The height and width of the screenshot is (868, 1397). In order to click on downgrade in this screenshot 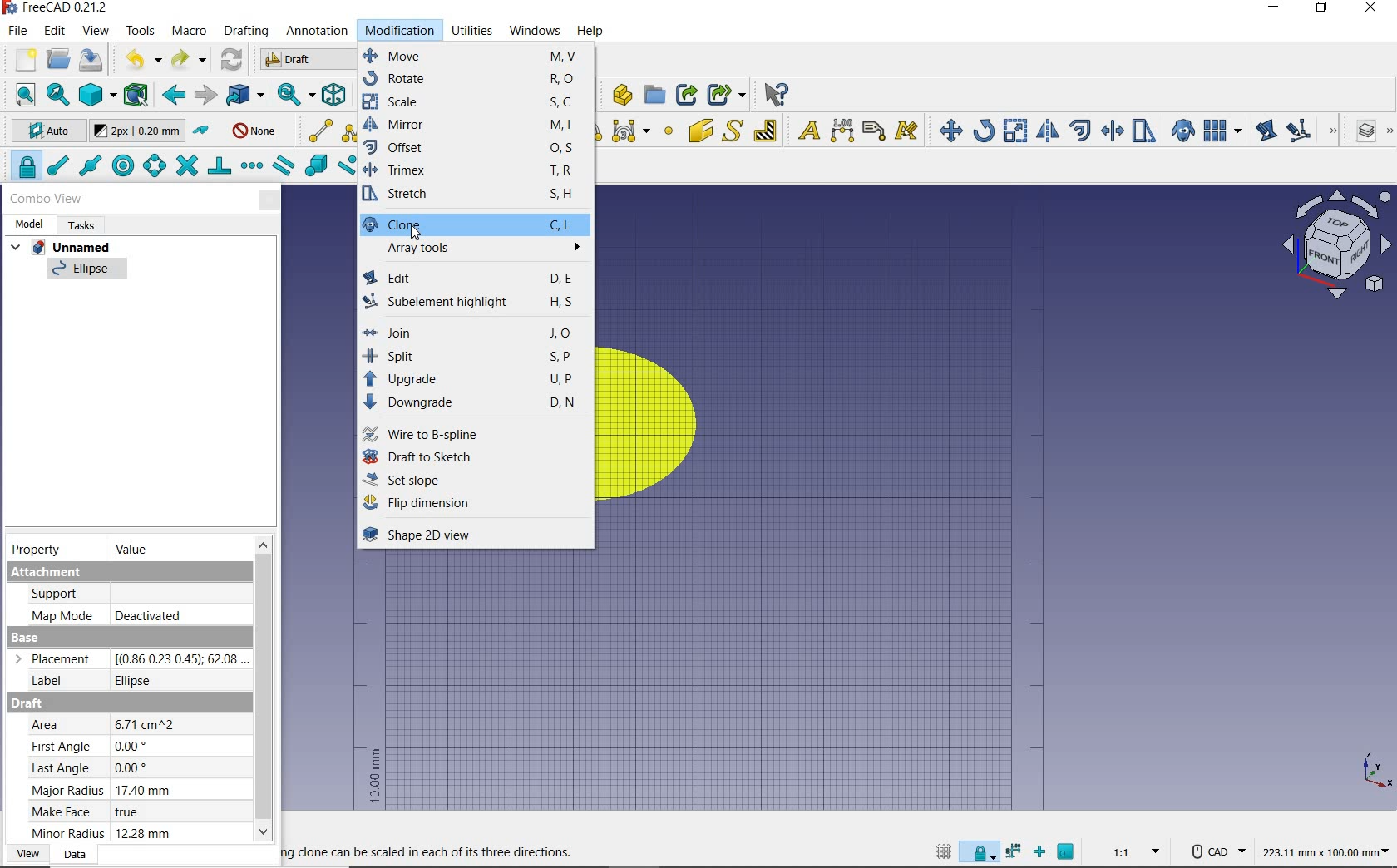, I will do `click(478, 403)`.